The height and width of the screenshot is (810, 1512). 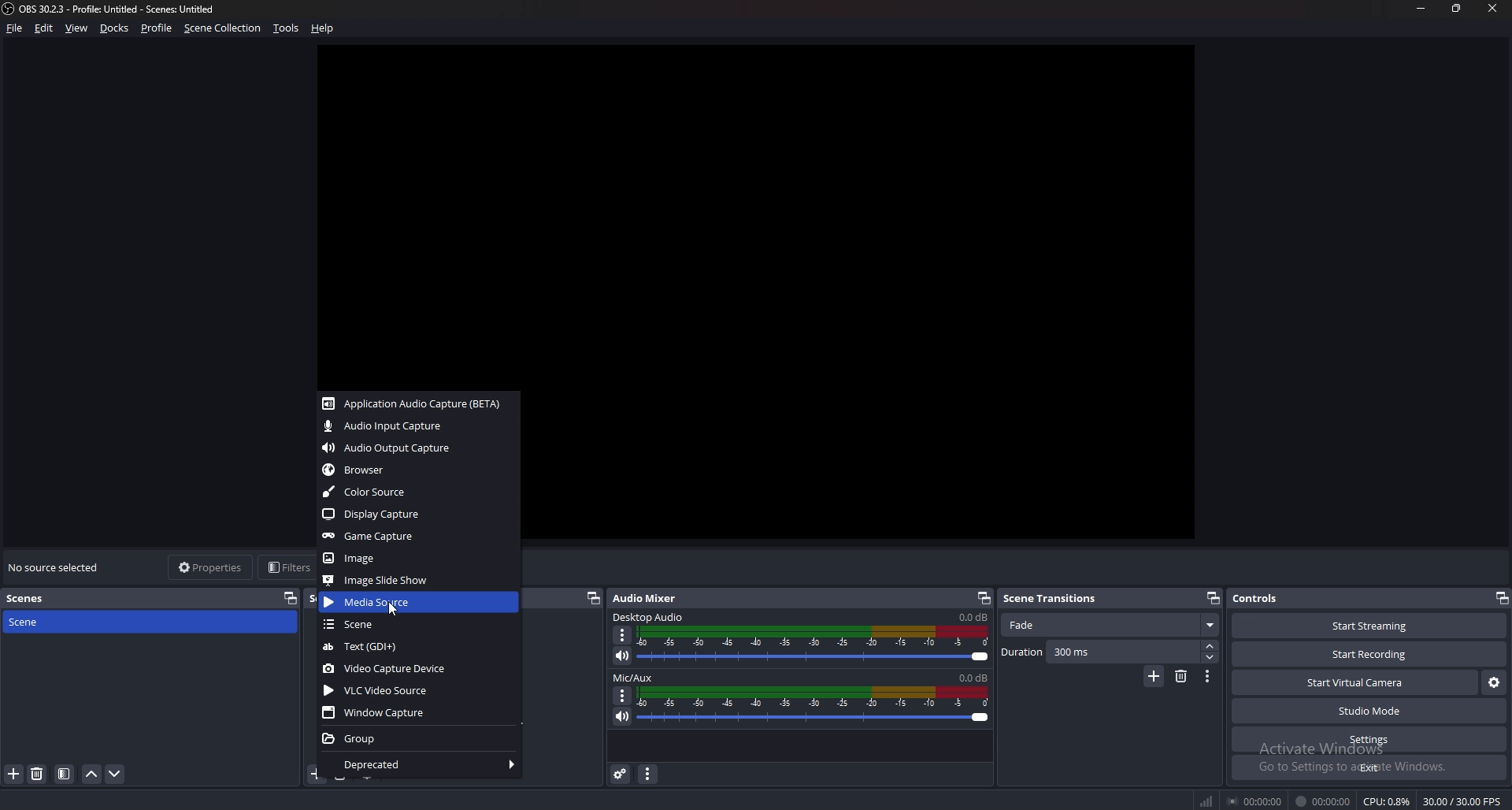 What do you see at coordinates (38, 773) in the screenshot?
I see `delete scene` at bounding box center [38, 773].